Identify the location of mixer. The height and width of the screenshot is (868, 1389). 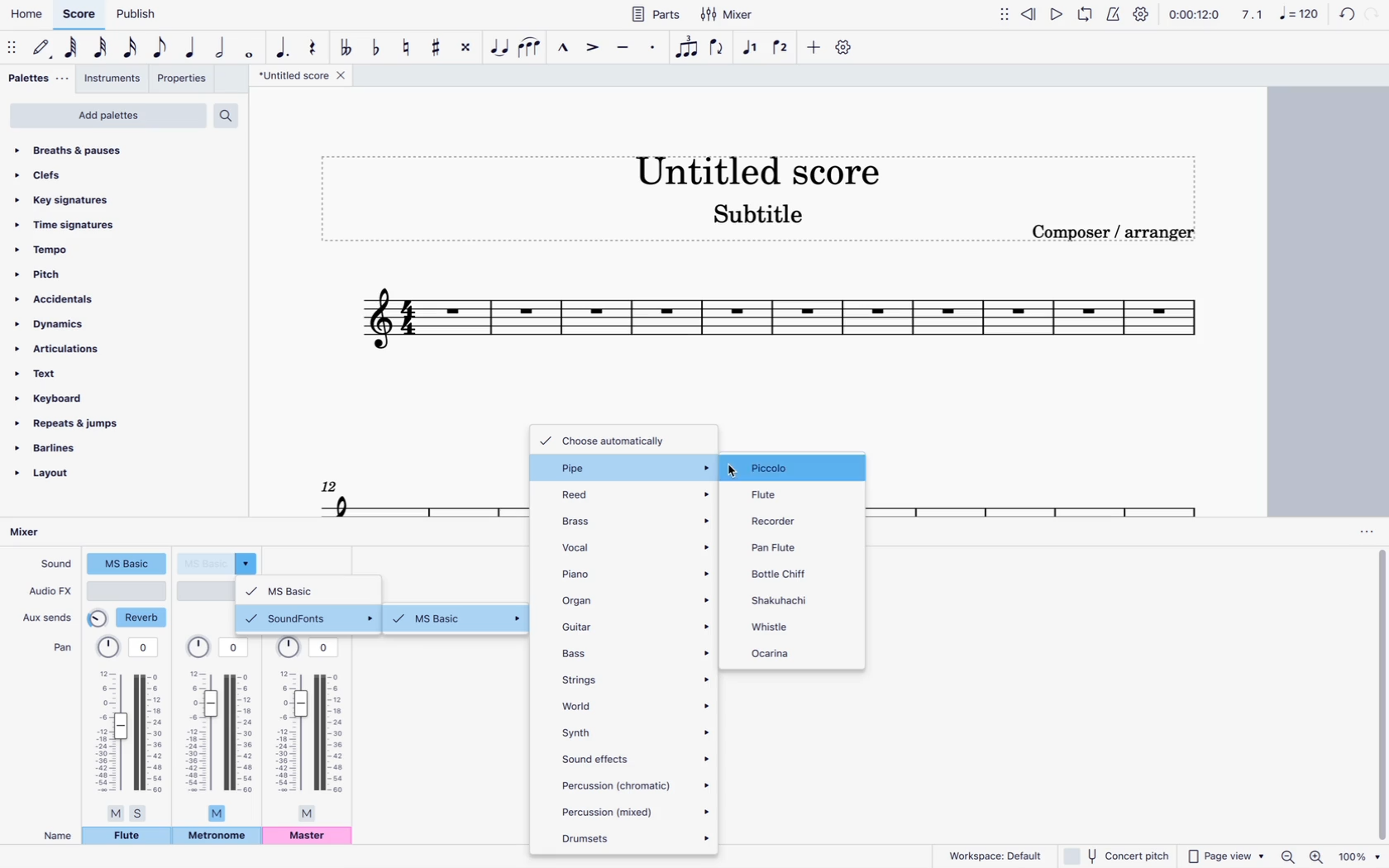
(32, 532).